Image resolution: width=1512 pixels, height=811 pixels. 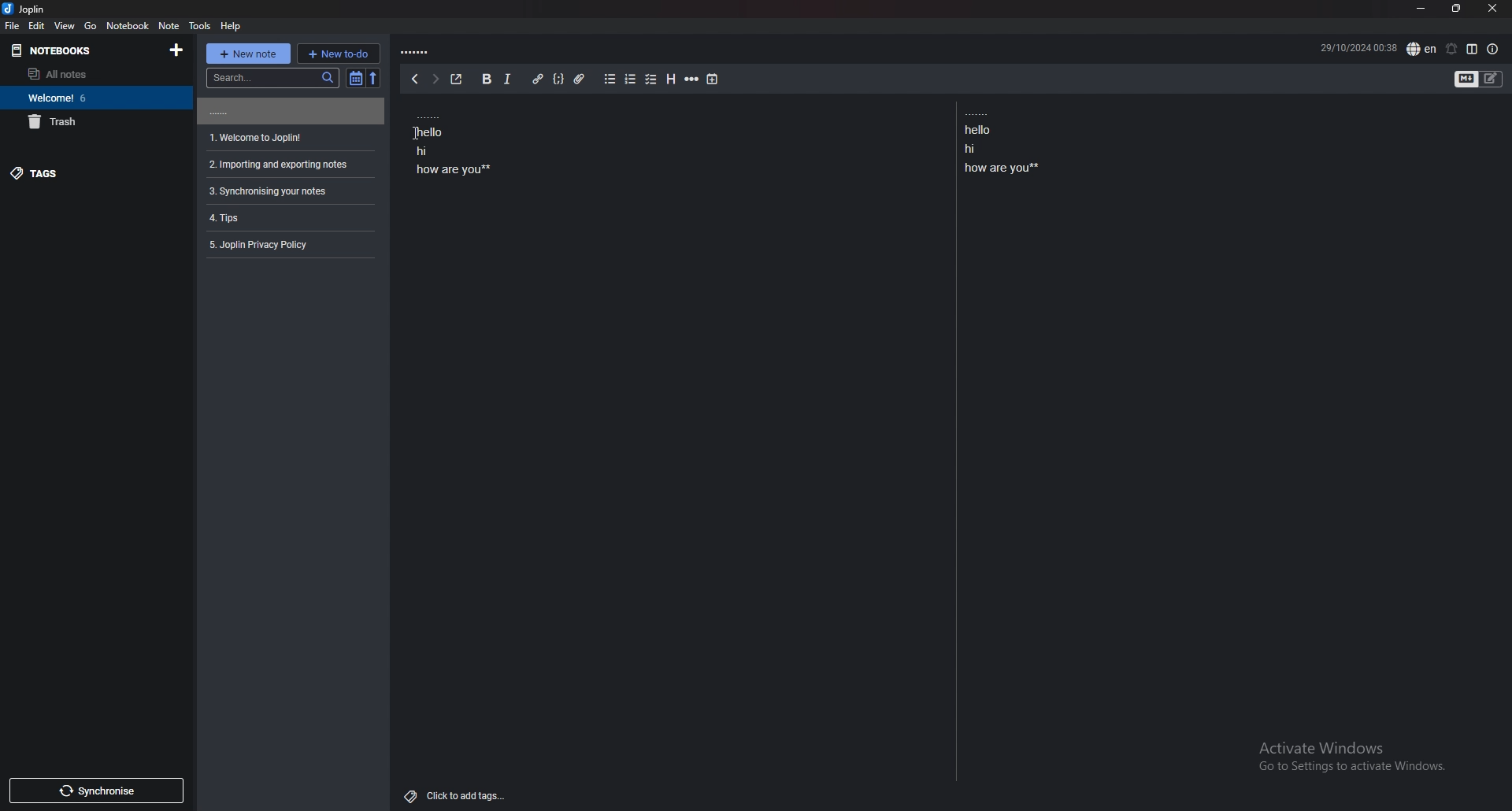 I want to click on toggle sort order field, so click(x=355, y=79).